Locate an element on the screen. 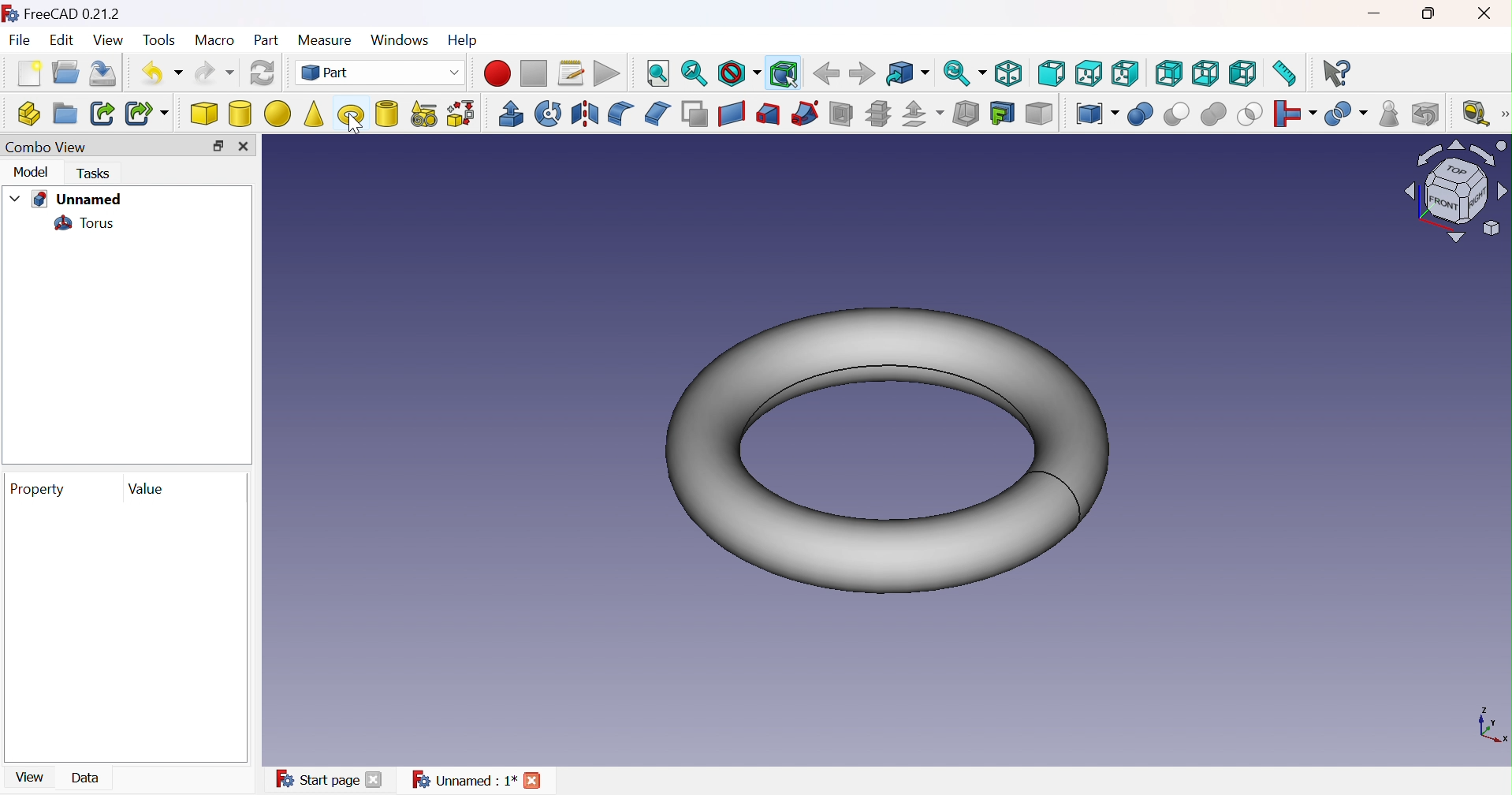 Image resolution: width=1512 pixels, height=795 pixels. Make sub-links is located at coordinates (146, 113).